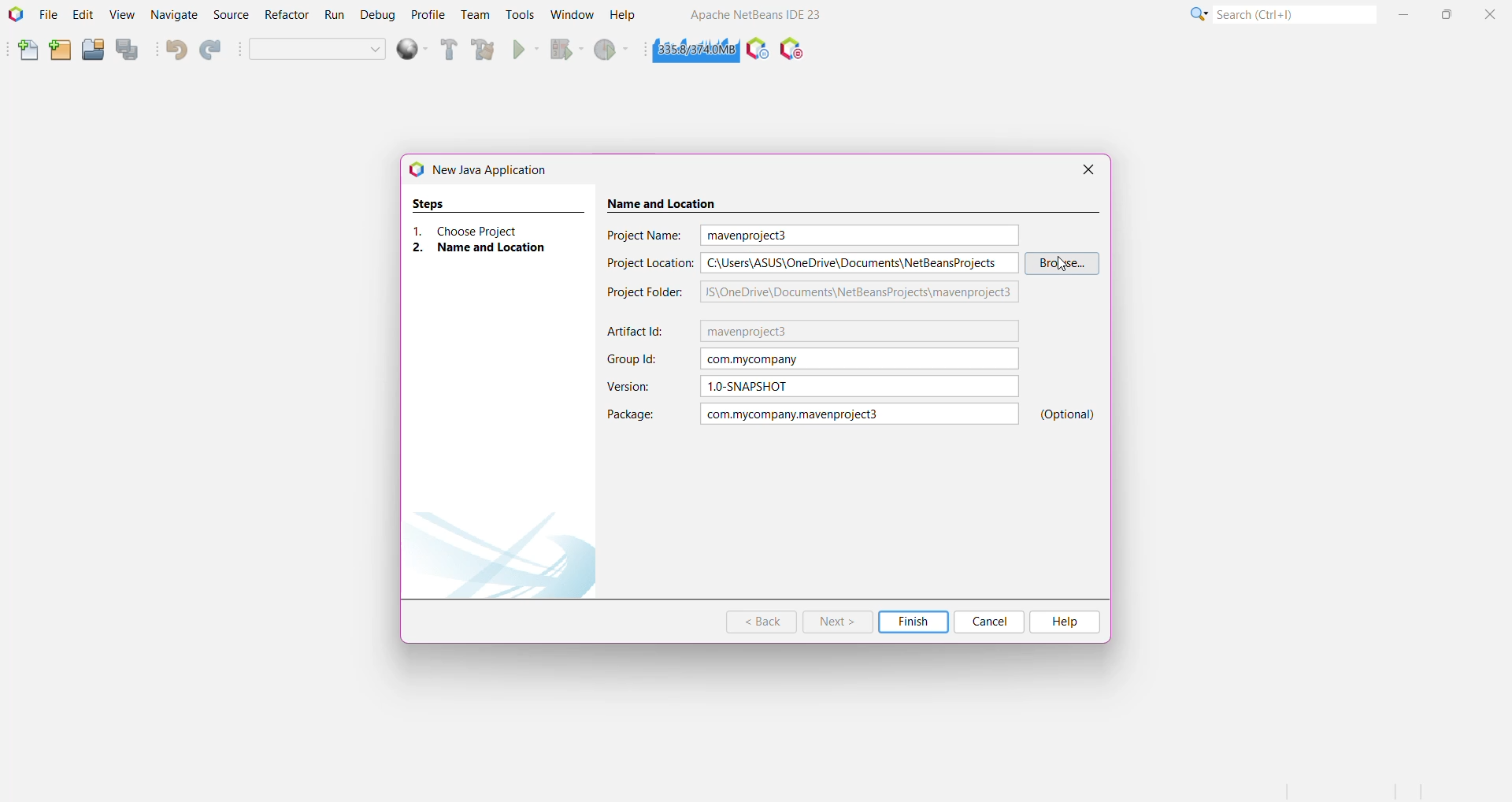 The image size is (1512, 802). I want to click on Selected Version Name, so click(861, 387).